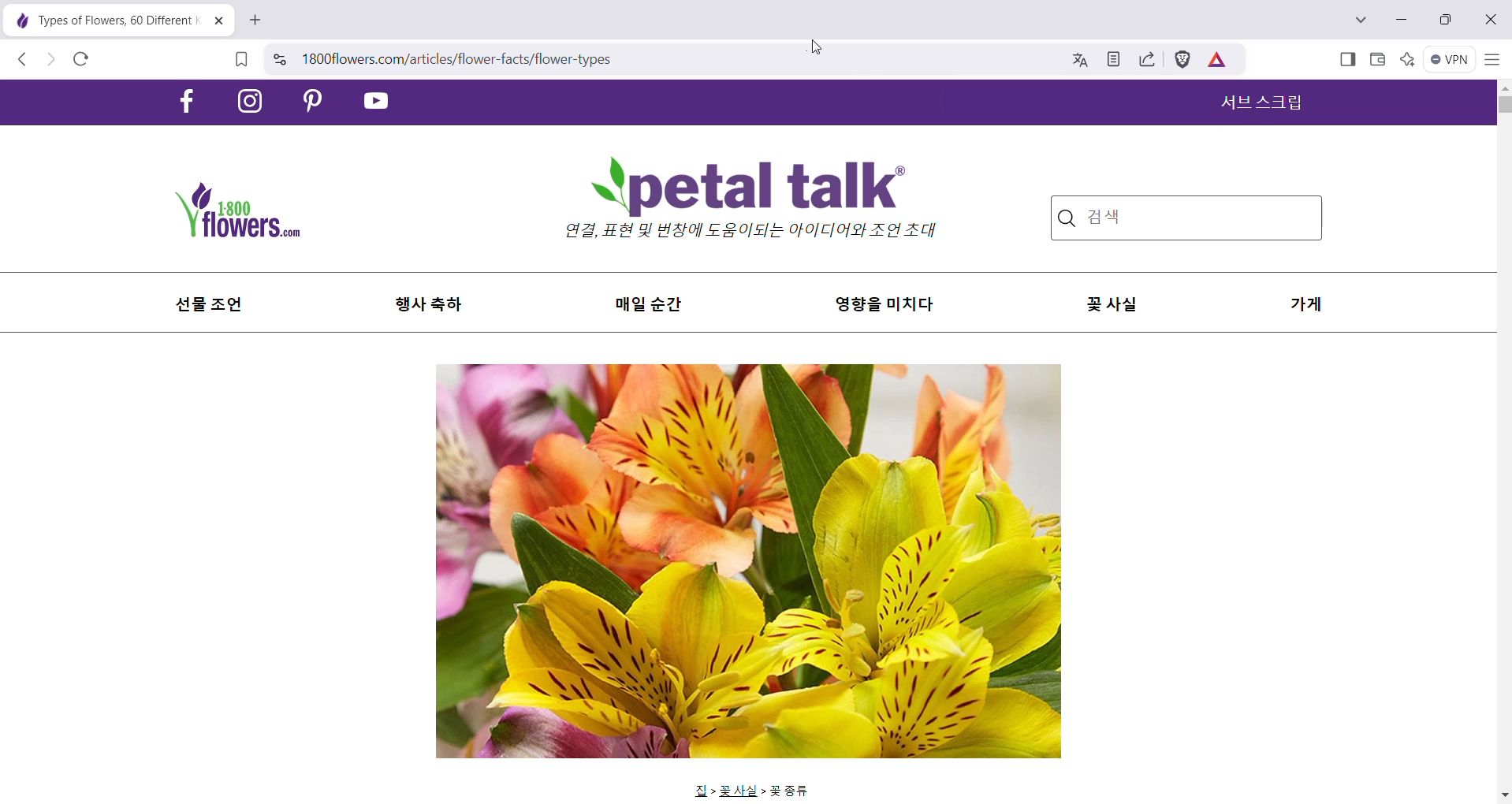 Image resolution: width=1512 pixels, height=804 pixels. I want to click on Reload this page, so click(84, 61).